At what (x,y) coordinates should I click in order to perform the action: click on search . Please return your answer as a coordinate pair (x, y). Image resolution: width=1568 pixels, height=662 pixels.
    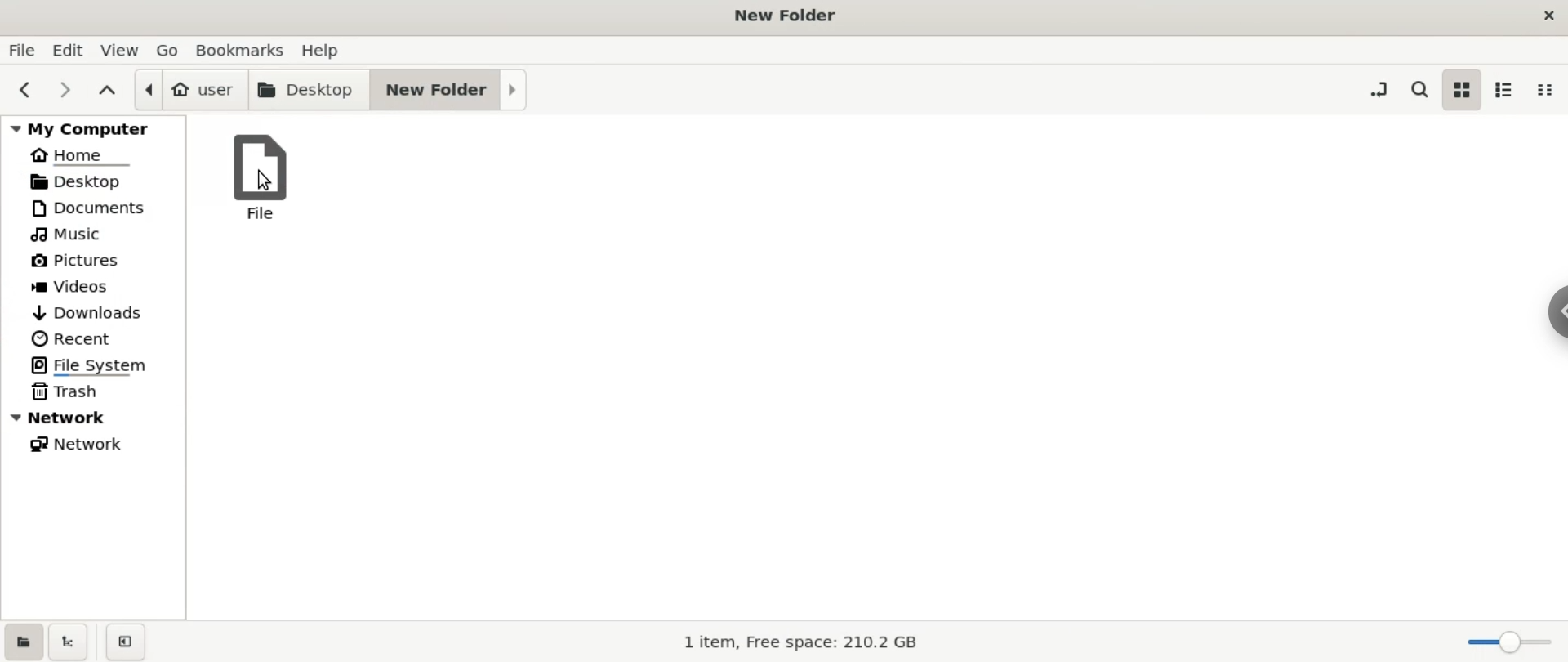
    Looking at the image, I should click on (1419, 89).